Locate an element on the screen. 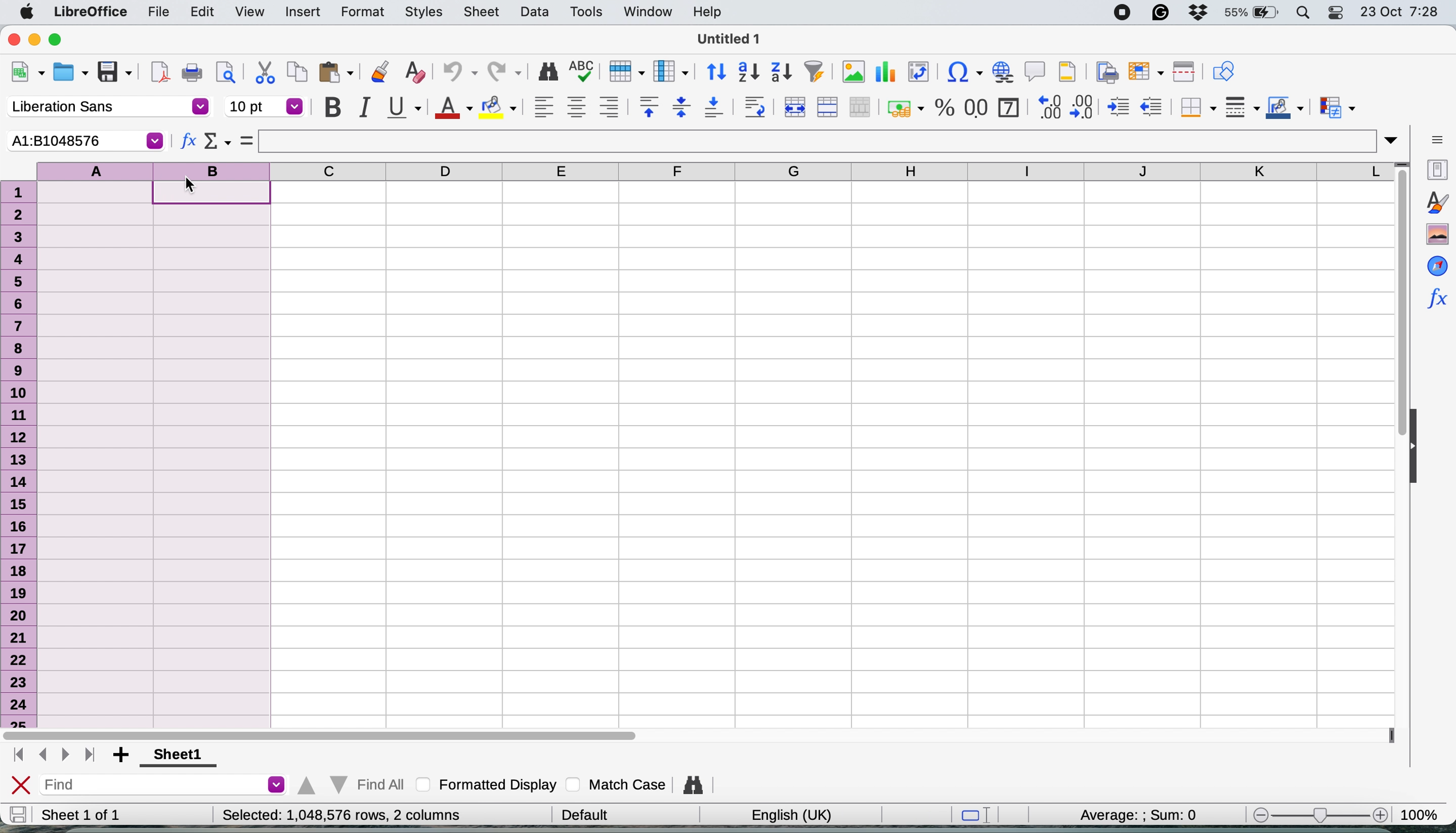  insert or edit pivot table is located at coordinates (920, 73).